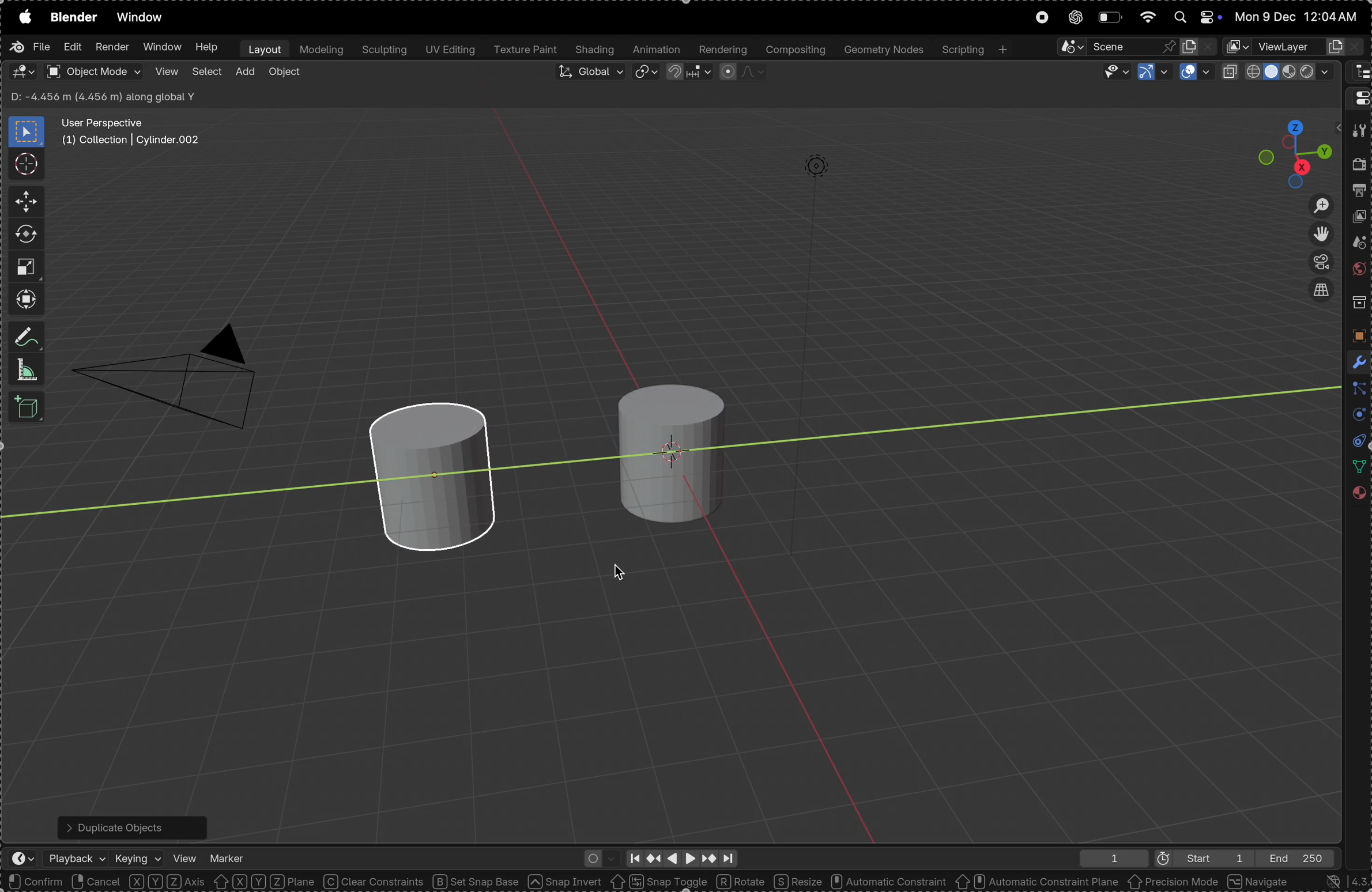 This screenshot has width=1372, height=892. I want to click on vector layer, so click(1294, 47).